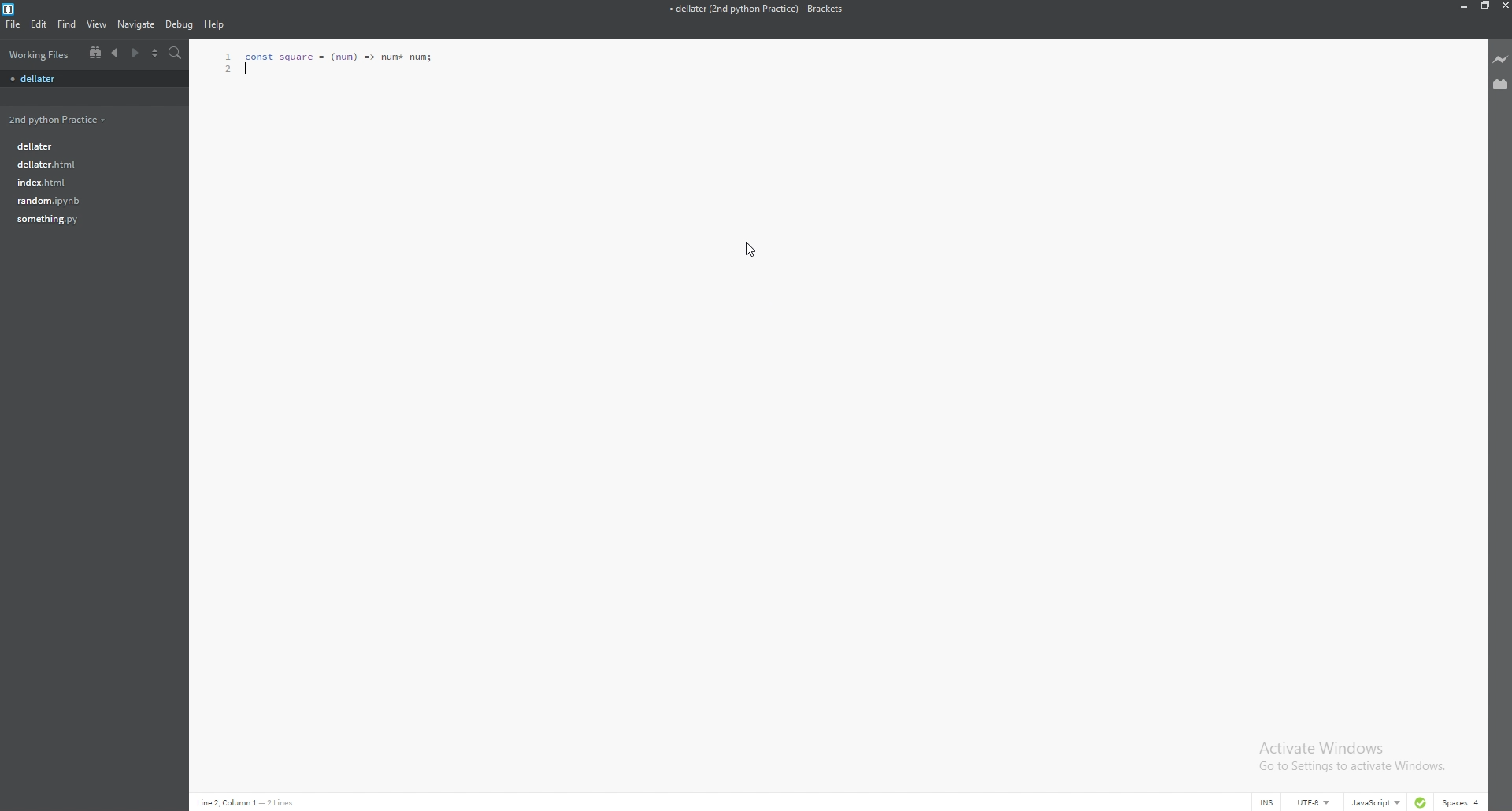  What do you see at coordinates (1421, 803) in the screenshot?
I see `linter` at bounding box center [1421, 803].